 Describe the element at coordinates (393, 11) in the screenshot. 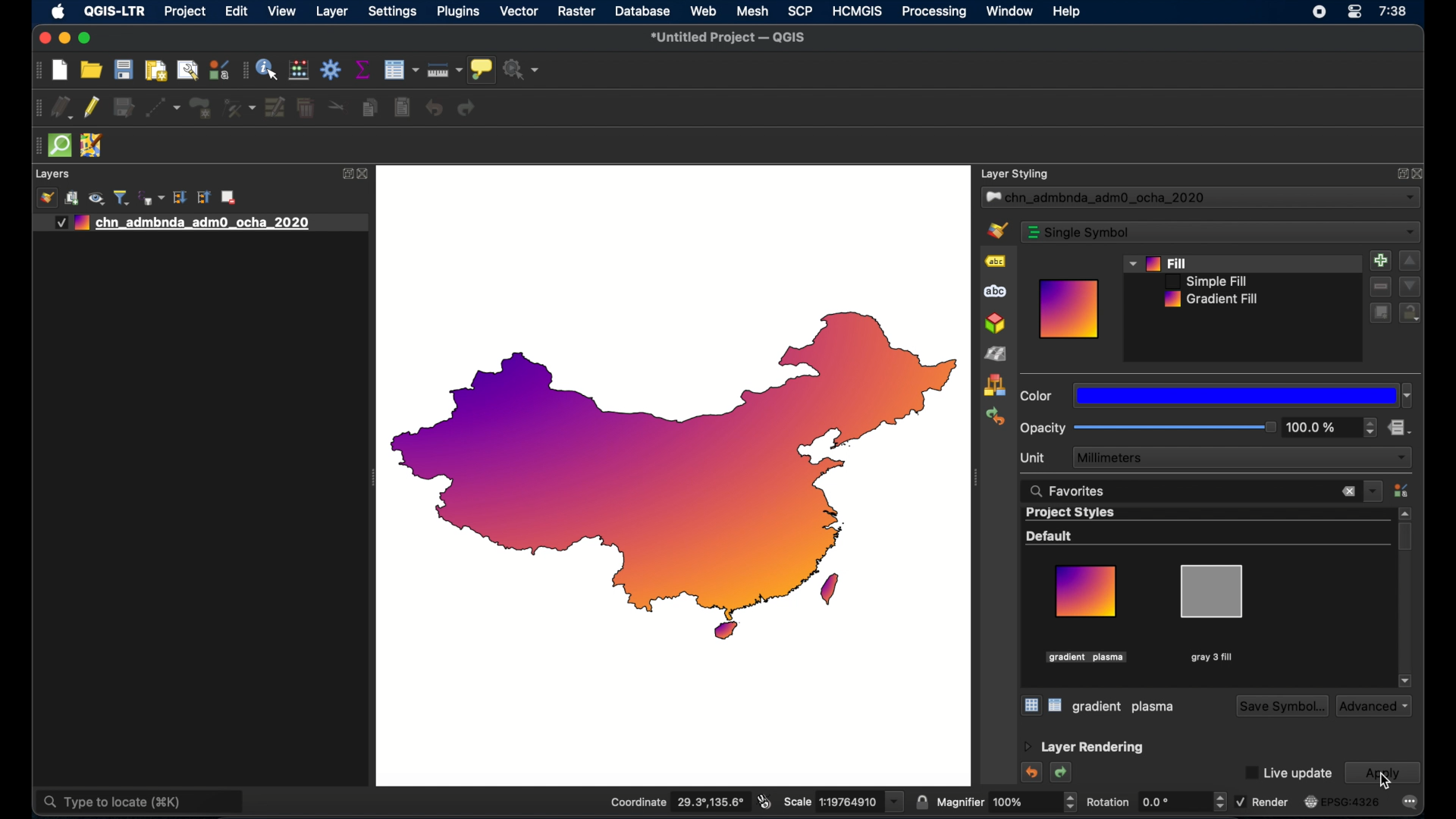

I see `settings` at that location.